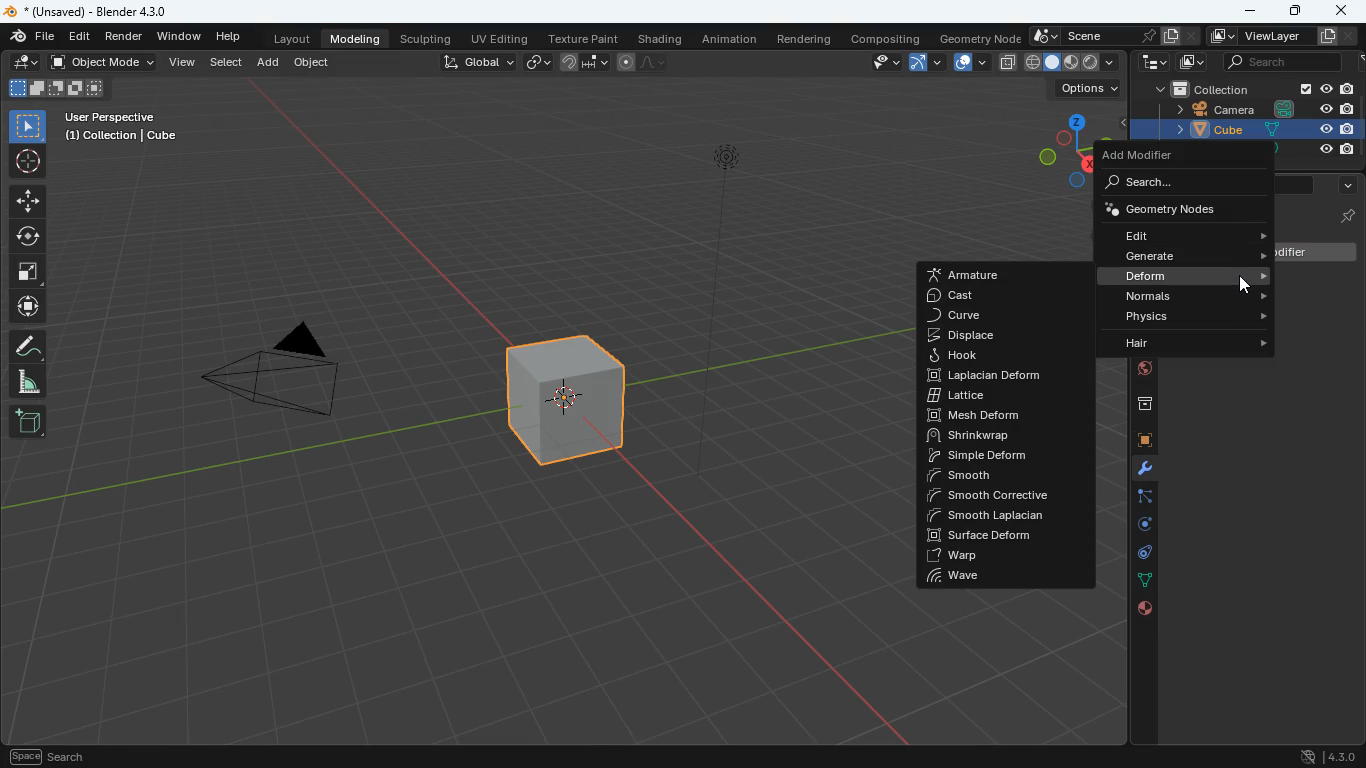 This screenshot has height=768, width=1366. What do you see at coordinates (1195, 346) in the screenshot?
I see `hair` at bounding box center [1195, 346].